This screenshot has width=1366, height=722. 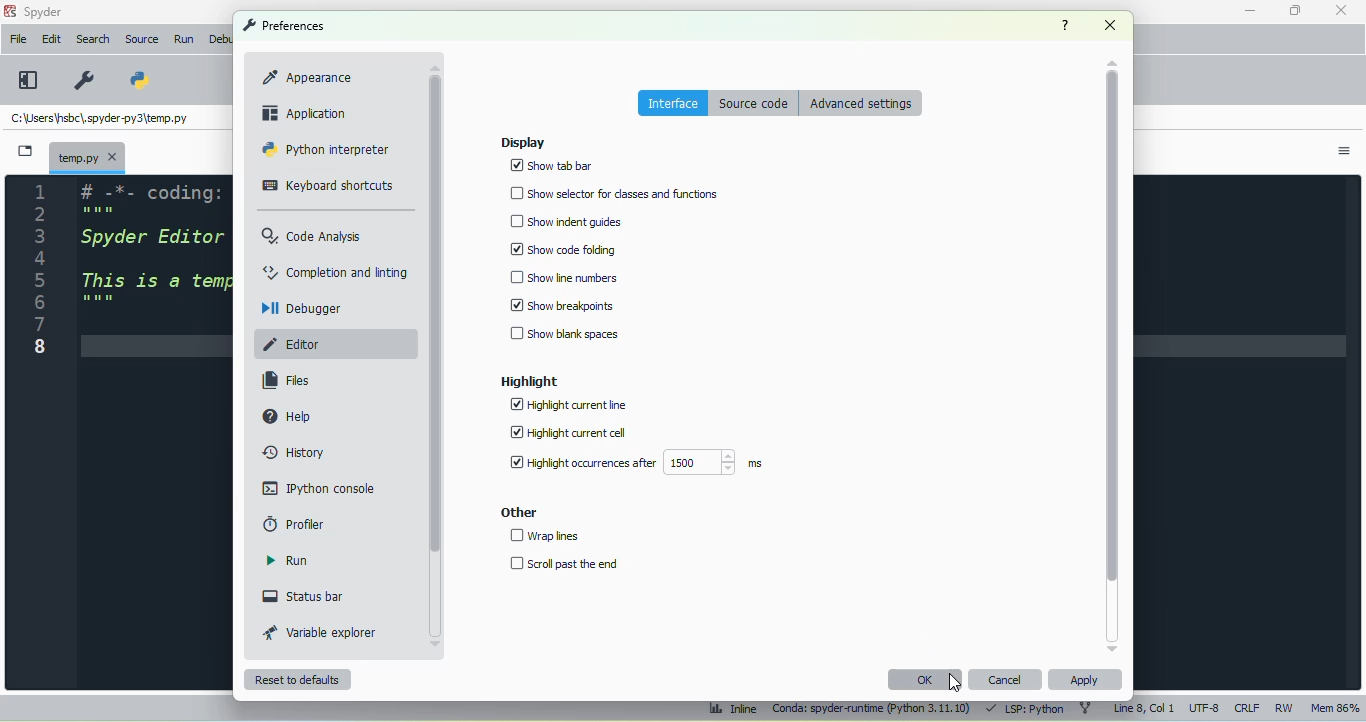 I want to click on source code, so click(x=754, y=103).